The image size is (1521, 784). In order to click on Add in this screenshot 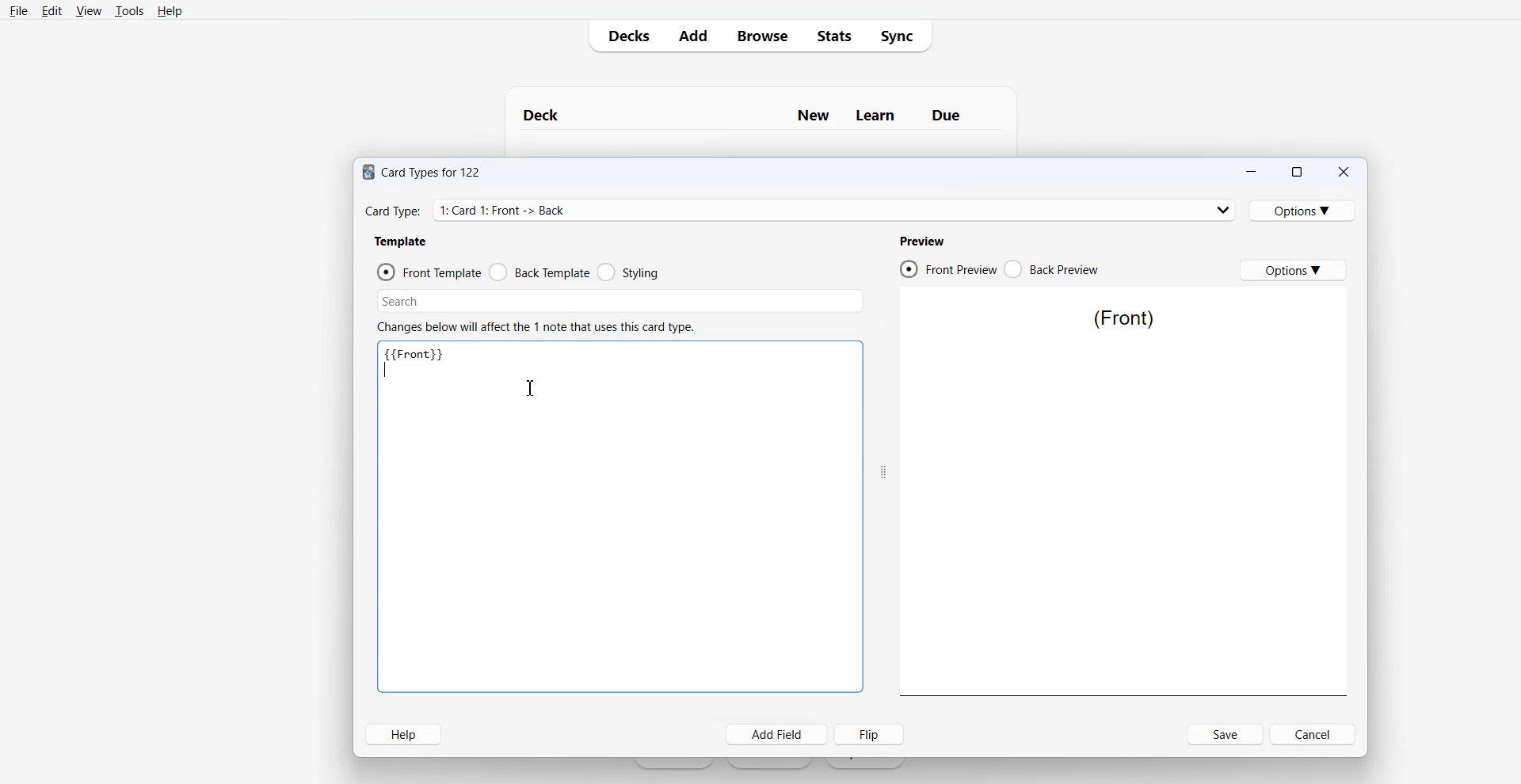, I will do `click(692, 37)`.